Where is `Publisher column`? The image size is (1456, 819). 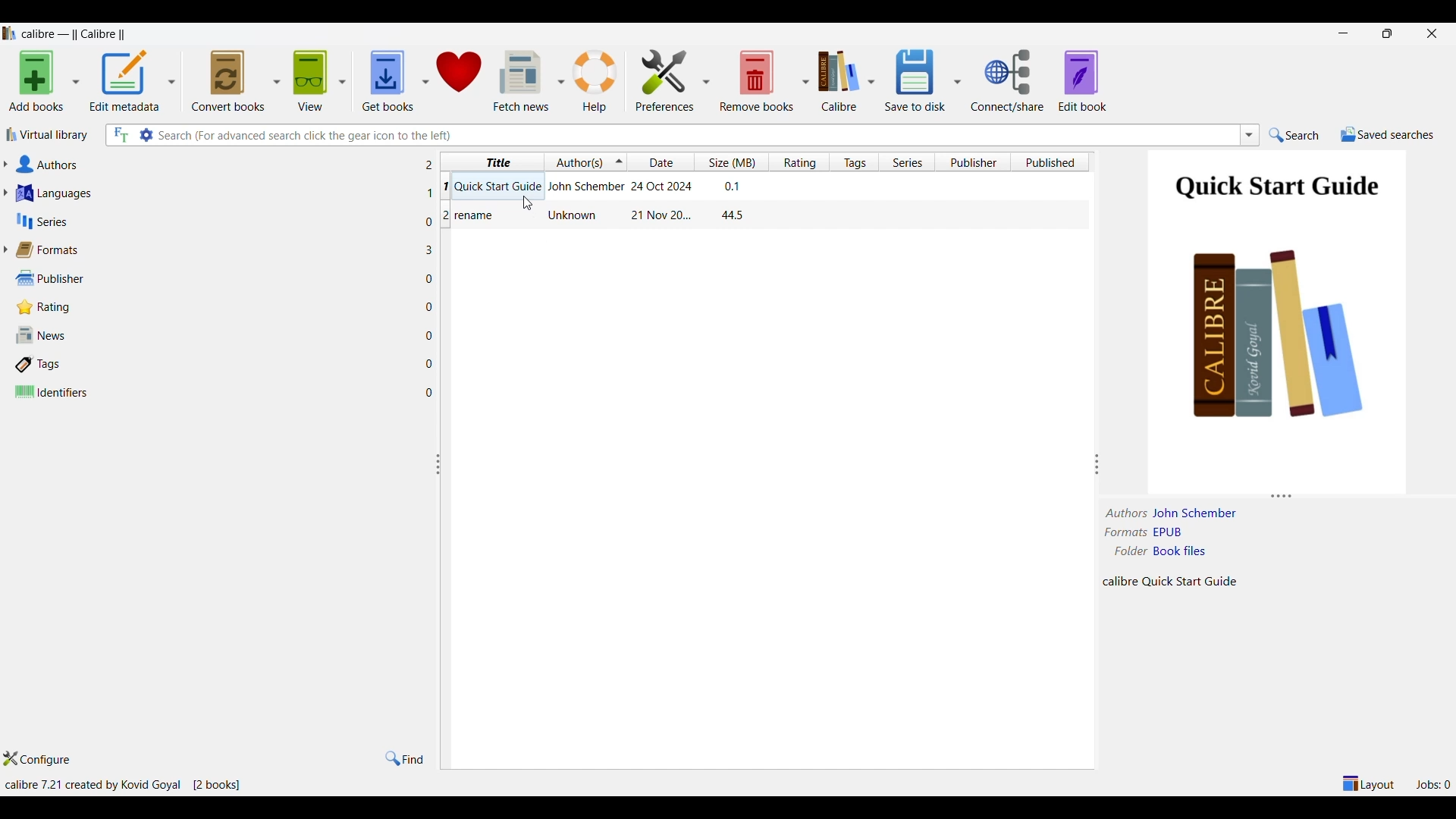
Publisher column is located at coordinates (973, 162).